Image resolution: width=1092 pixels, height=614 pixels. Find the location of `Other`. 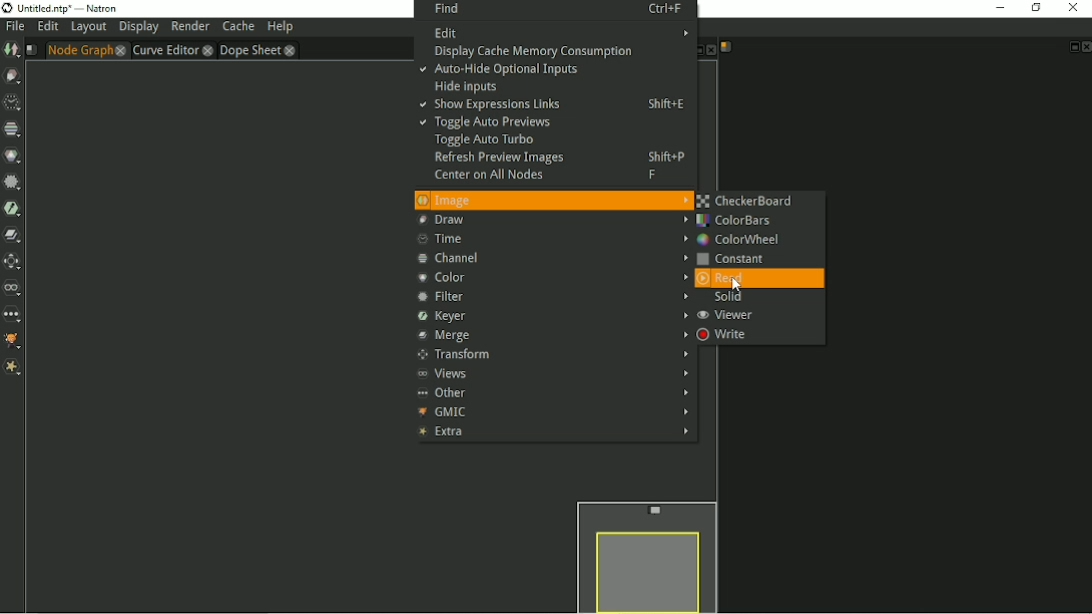

Other is located at coordinates (13, 315).